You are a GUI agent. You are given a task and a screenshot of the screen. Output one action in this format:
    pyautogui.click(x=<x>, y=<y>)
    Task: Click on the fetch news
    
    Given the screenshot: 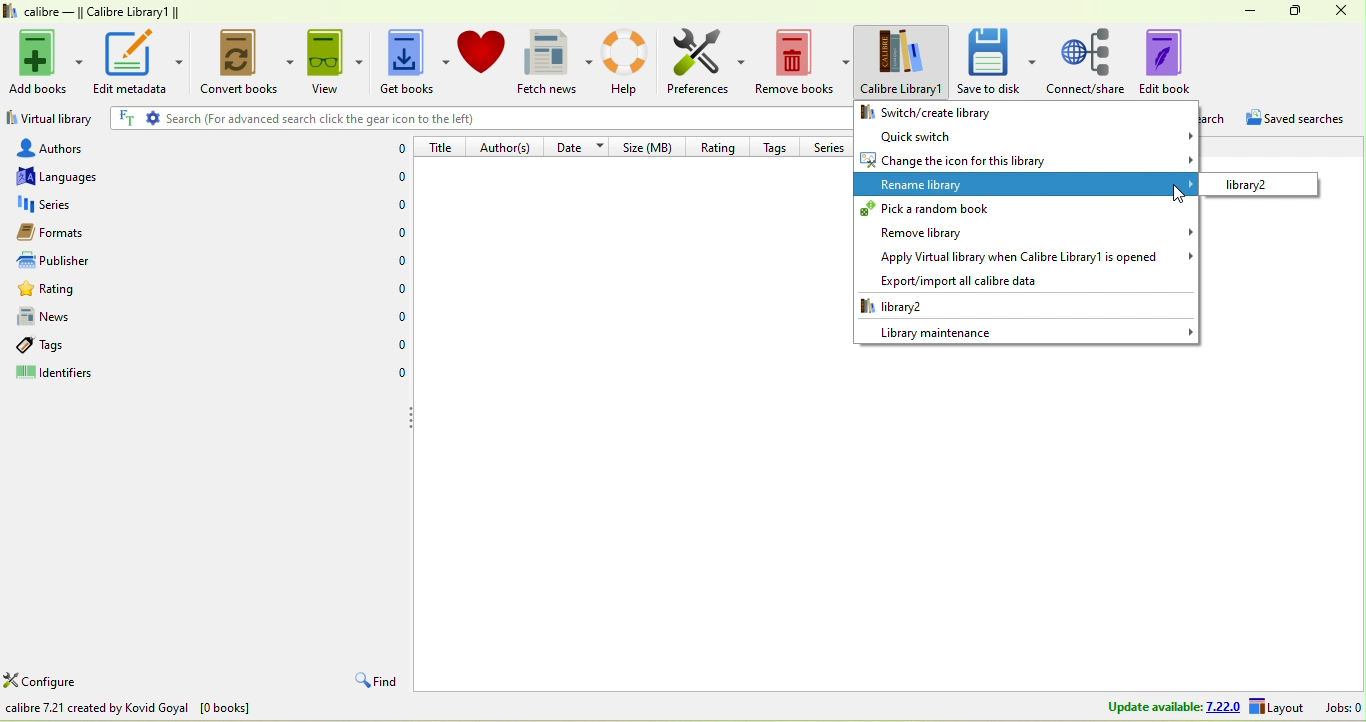 What is the action you would take?
    pyautogui.click(x=557, y=62)
    